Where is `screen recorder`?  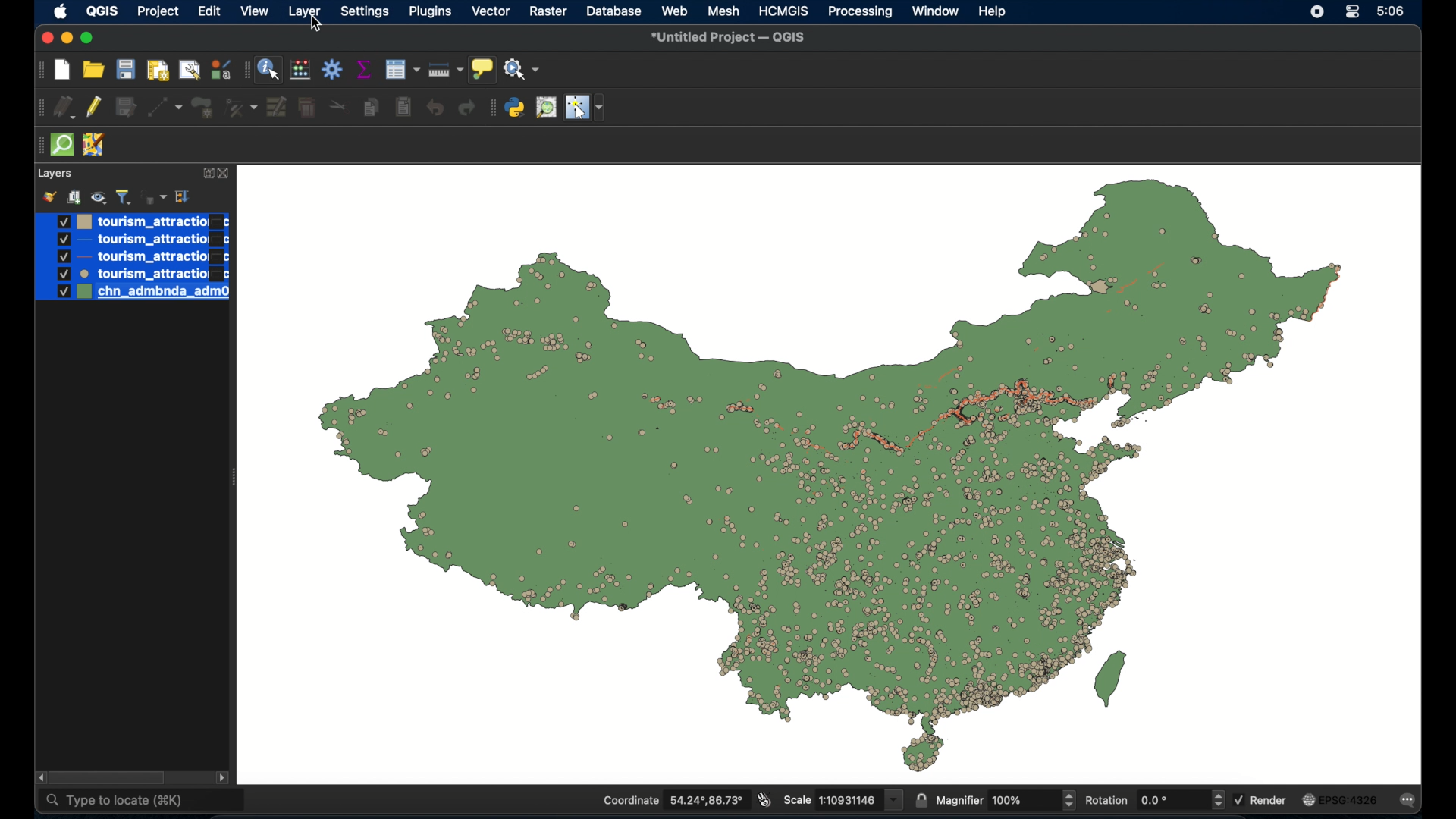 screen recorder is located at coordinates (1319, 11).